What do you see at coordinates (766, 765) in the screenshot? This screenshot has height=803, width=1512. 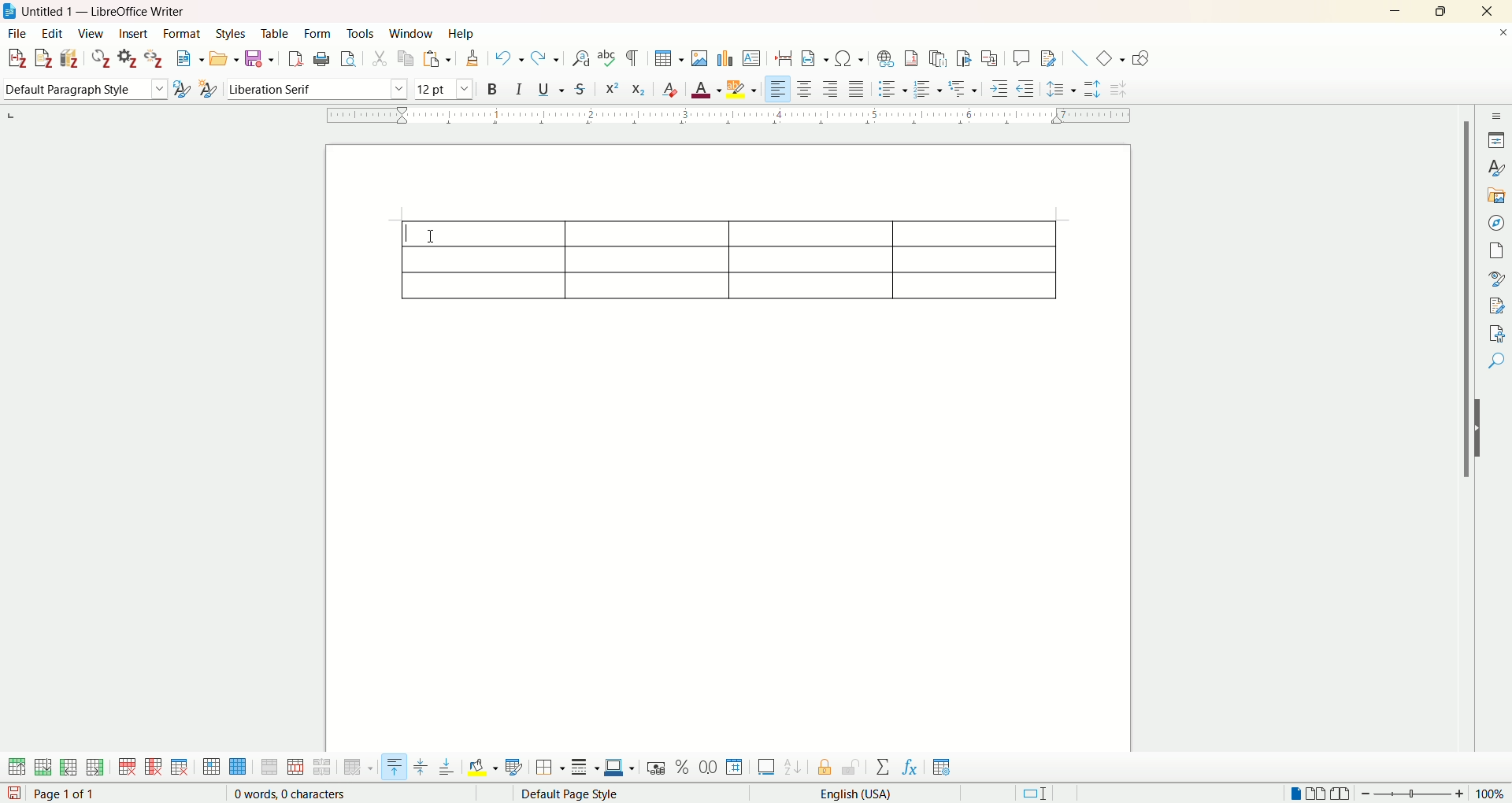 I see `insert caption` at bounding box center [766, 765].